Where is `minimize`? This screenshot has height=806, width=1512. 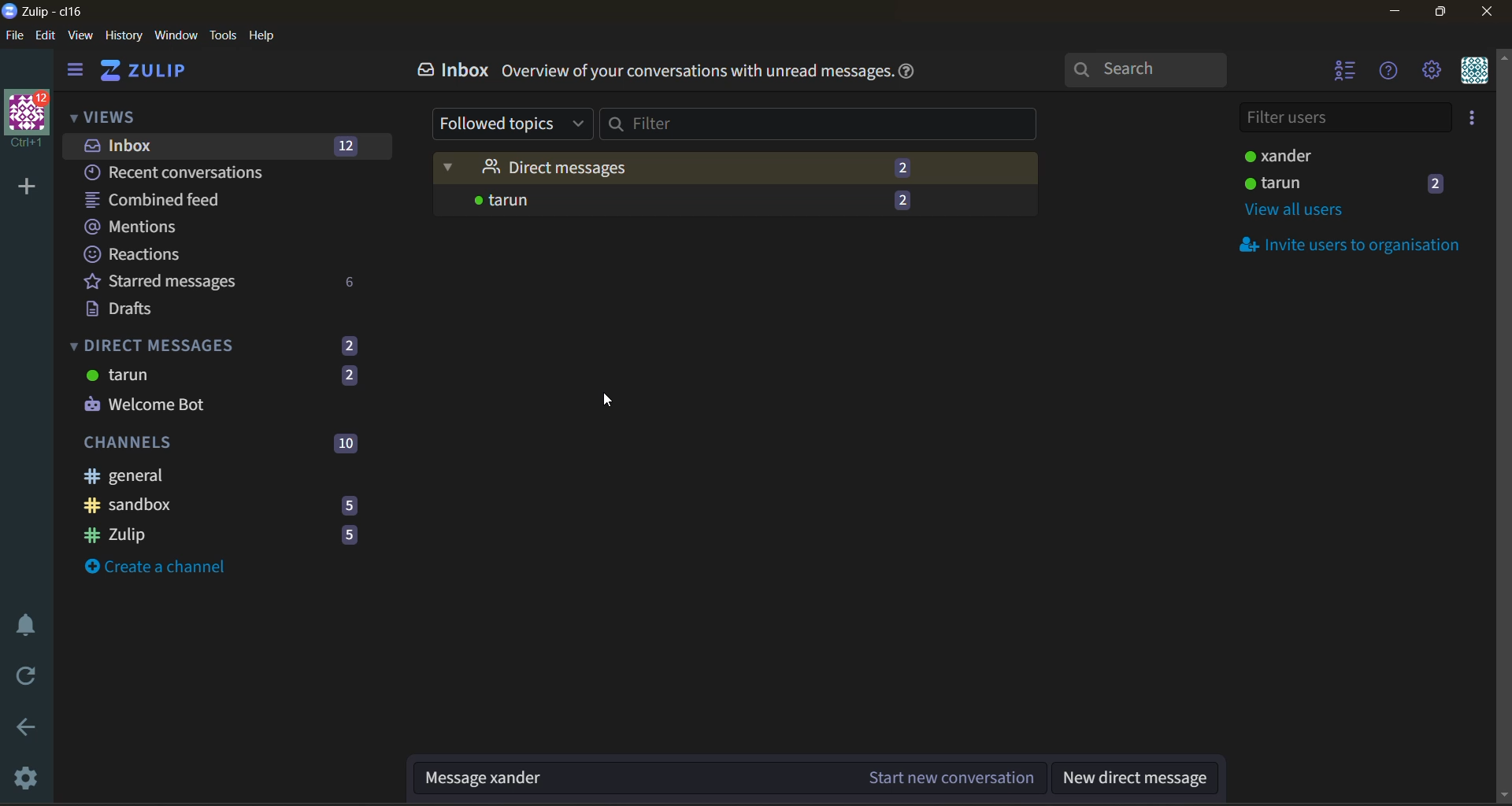
minimize is located at coordinates (1396, 9).